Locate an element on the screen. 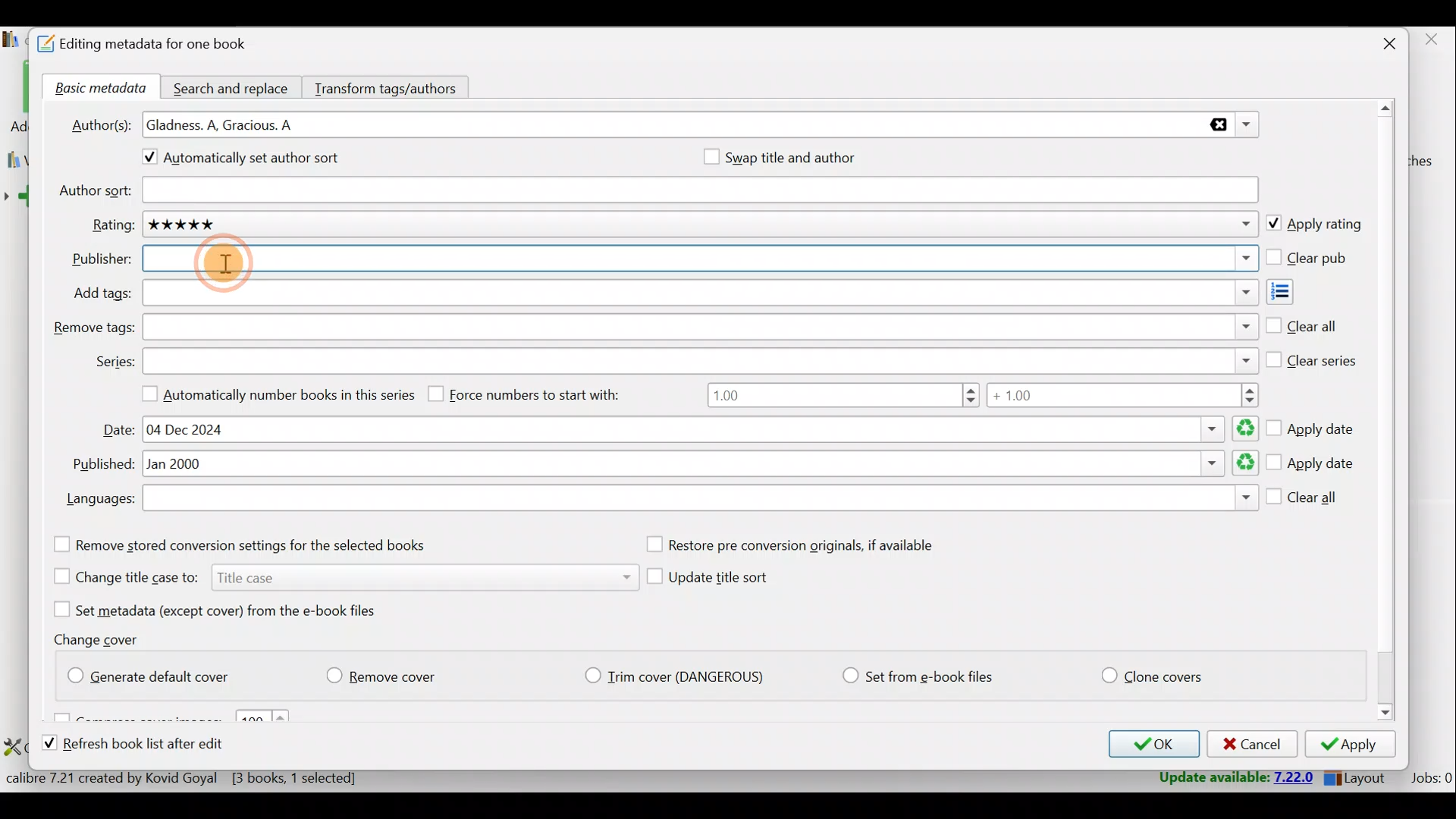  Series is located at coordinates (701, 359).